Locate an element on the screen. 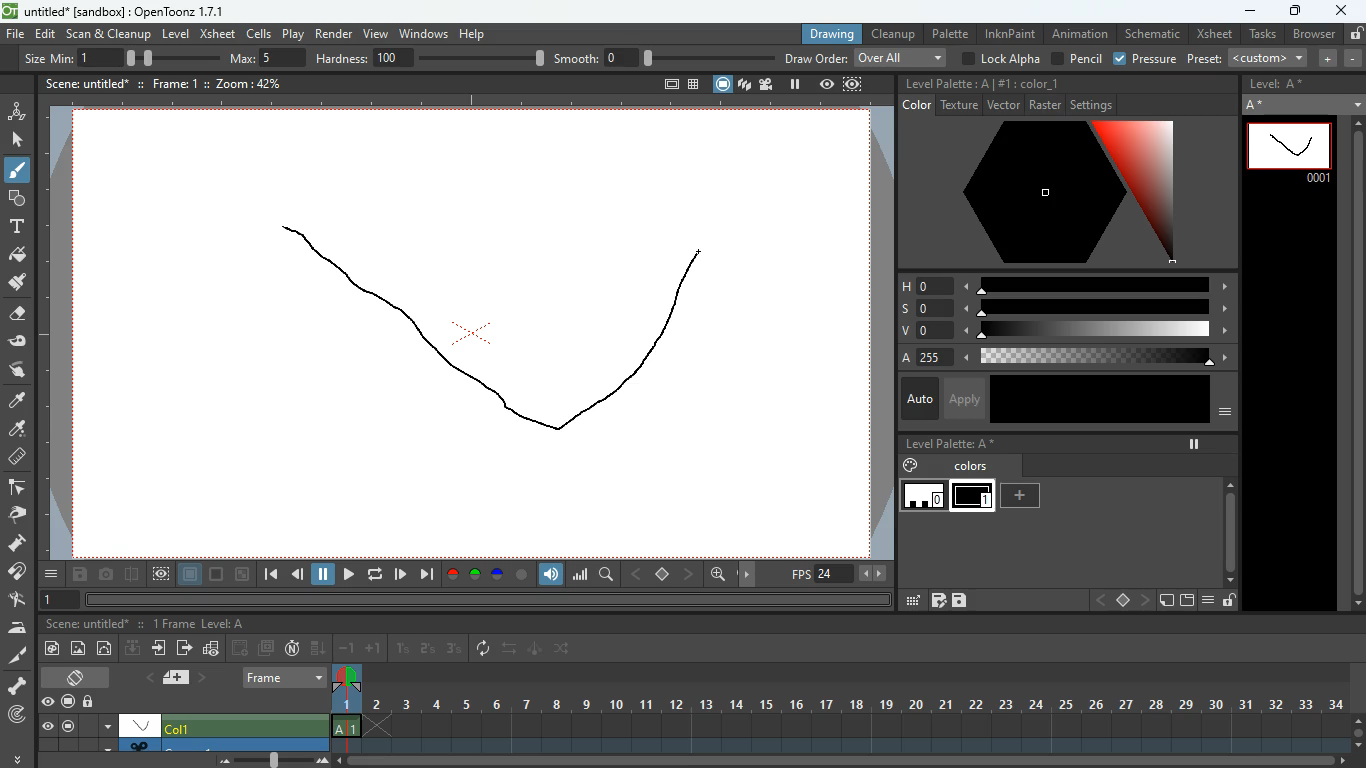 Image resolution: width=1366 pixels, height=768 pixels. zoom is located at coordinates (242, 83).